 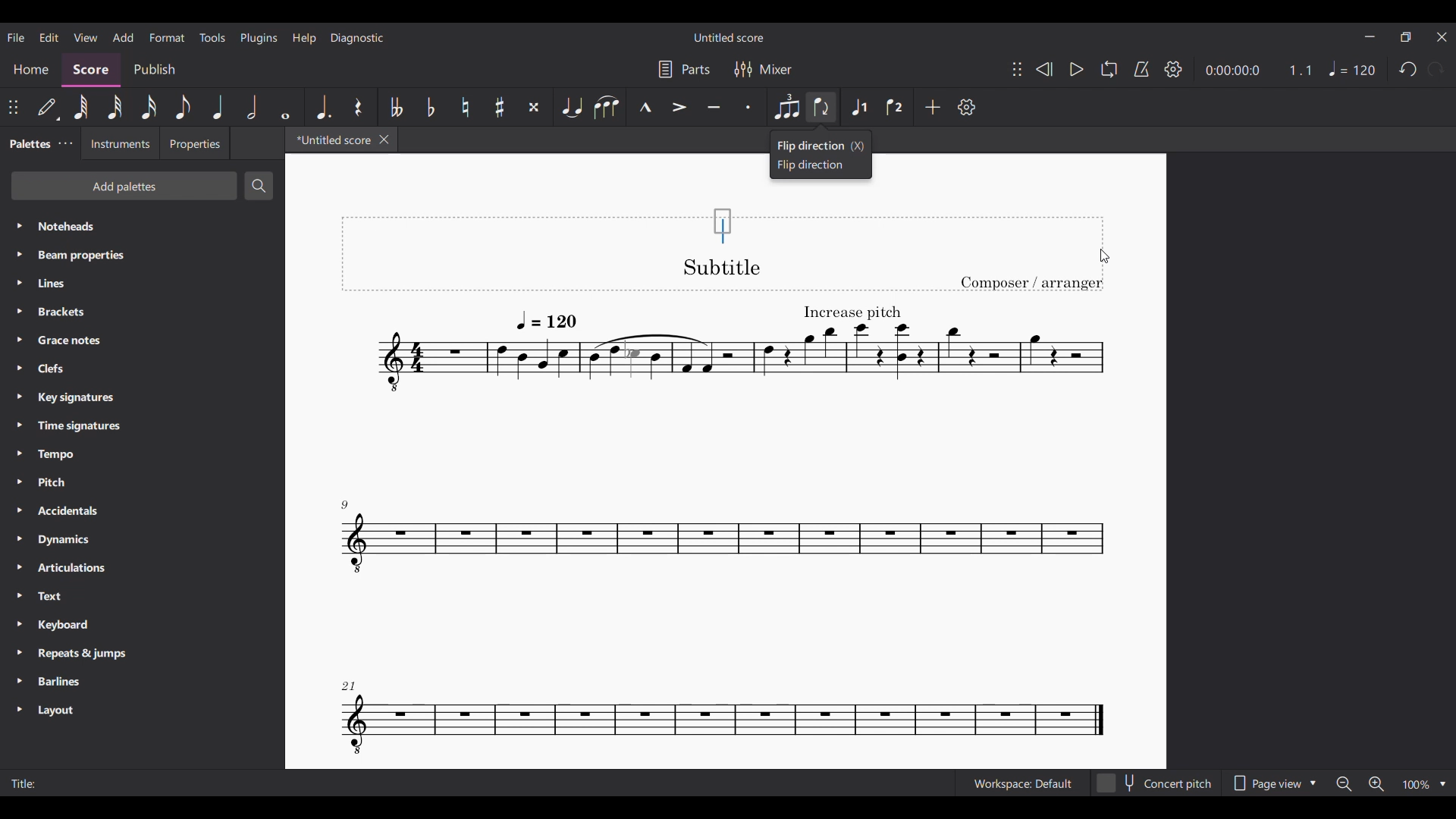 I want to click on Page view options, so click(x=1272, y=783).